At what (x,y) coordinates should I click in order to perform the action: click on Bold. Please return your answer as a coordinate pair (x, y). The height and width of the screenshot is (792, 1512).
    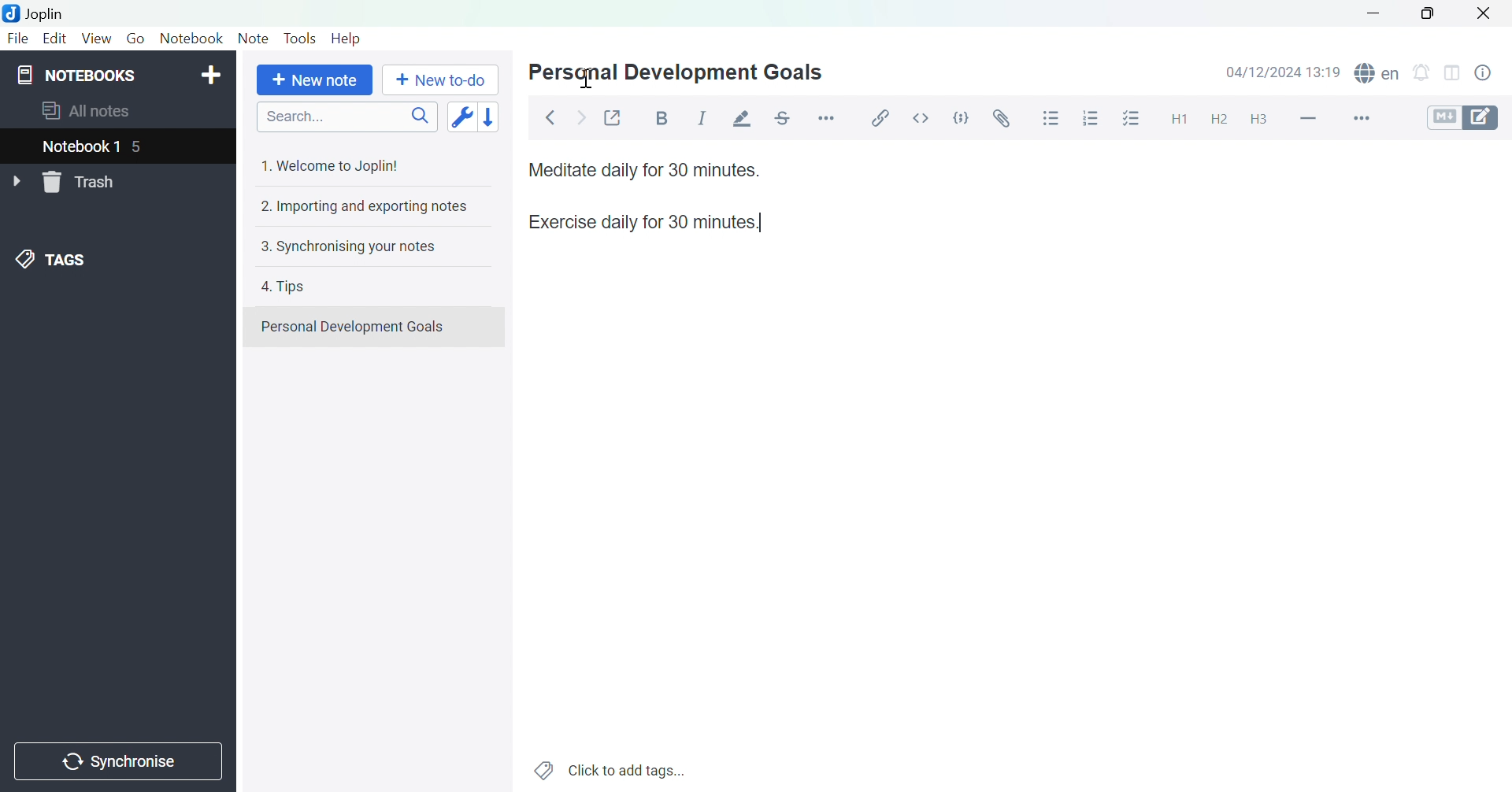
    Looking at the image, I should click on (658, 118).